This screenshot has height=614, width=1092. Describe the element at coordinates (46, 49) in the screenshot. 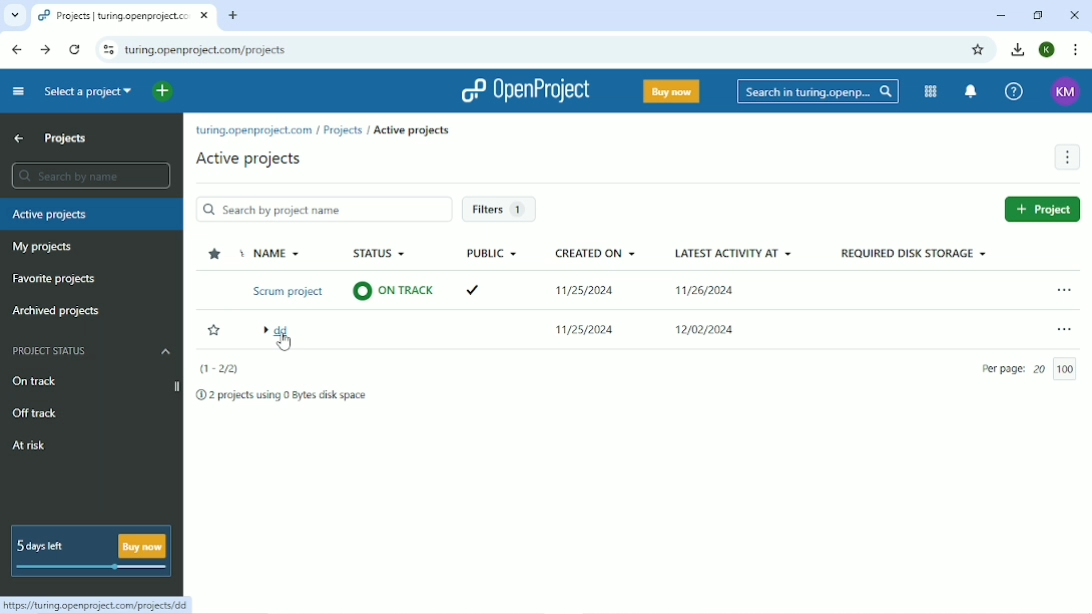

I see `Forward` at that location.